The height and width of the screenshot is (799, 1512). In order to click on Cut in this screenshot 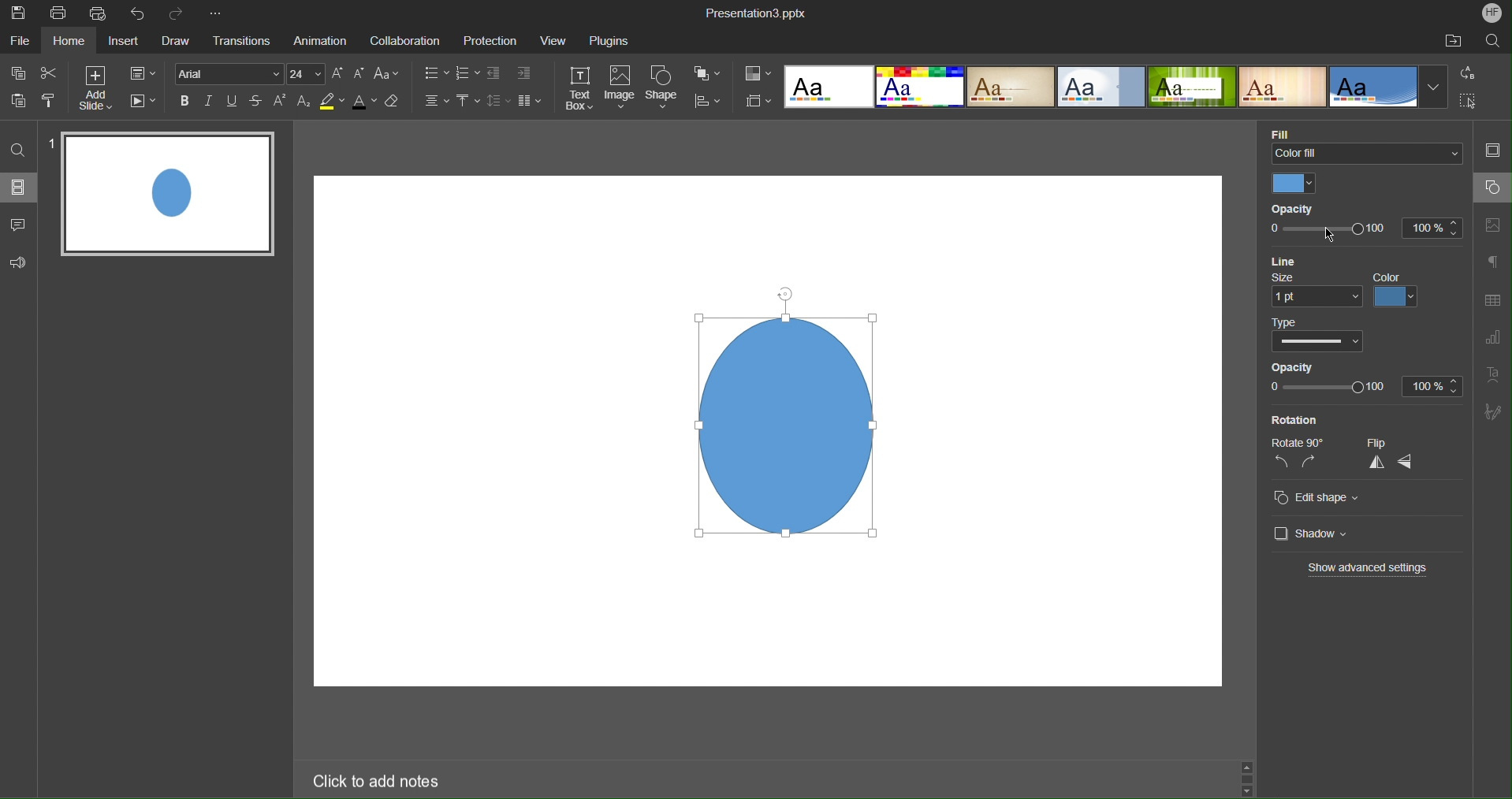, I will do `click(50, 73)`.